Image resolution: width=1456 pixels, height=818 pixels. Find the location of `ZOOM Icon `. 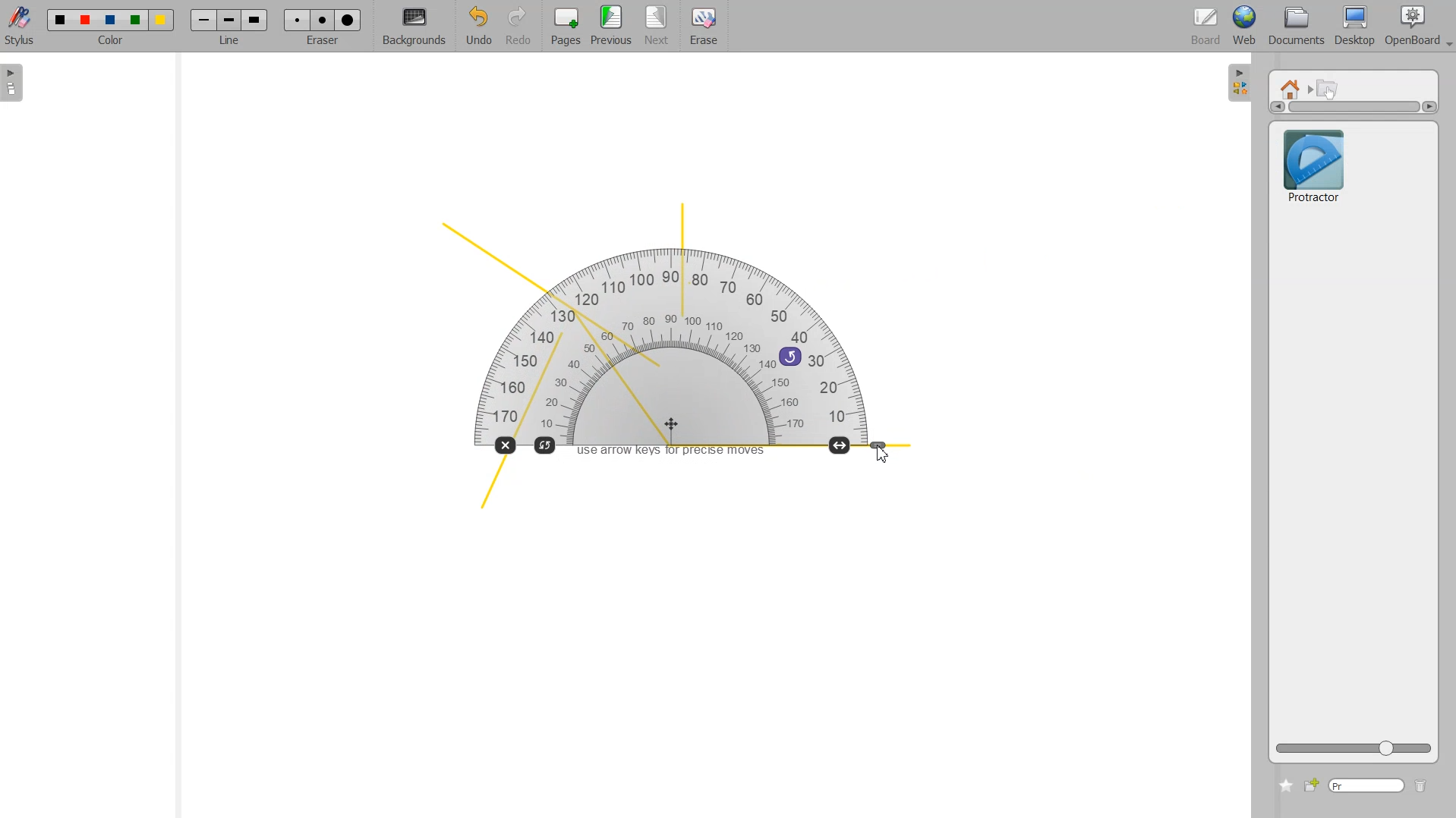

ZOOM Icon  is located at coordinates (1354, 748).